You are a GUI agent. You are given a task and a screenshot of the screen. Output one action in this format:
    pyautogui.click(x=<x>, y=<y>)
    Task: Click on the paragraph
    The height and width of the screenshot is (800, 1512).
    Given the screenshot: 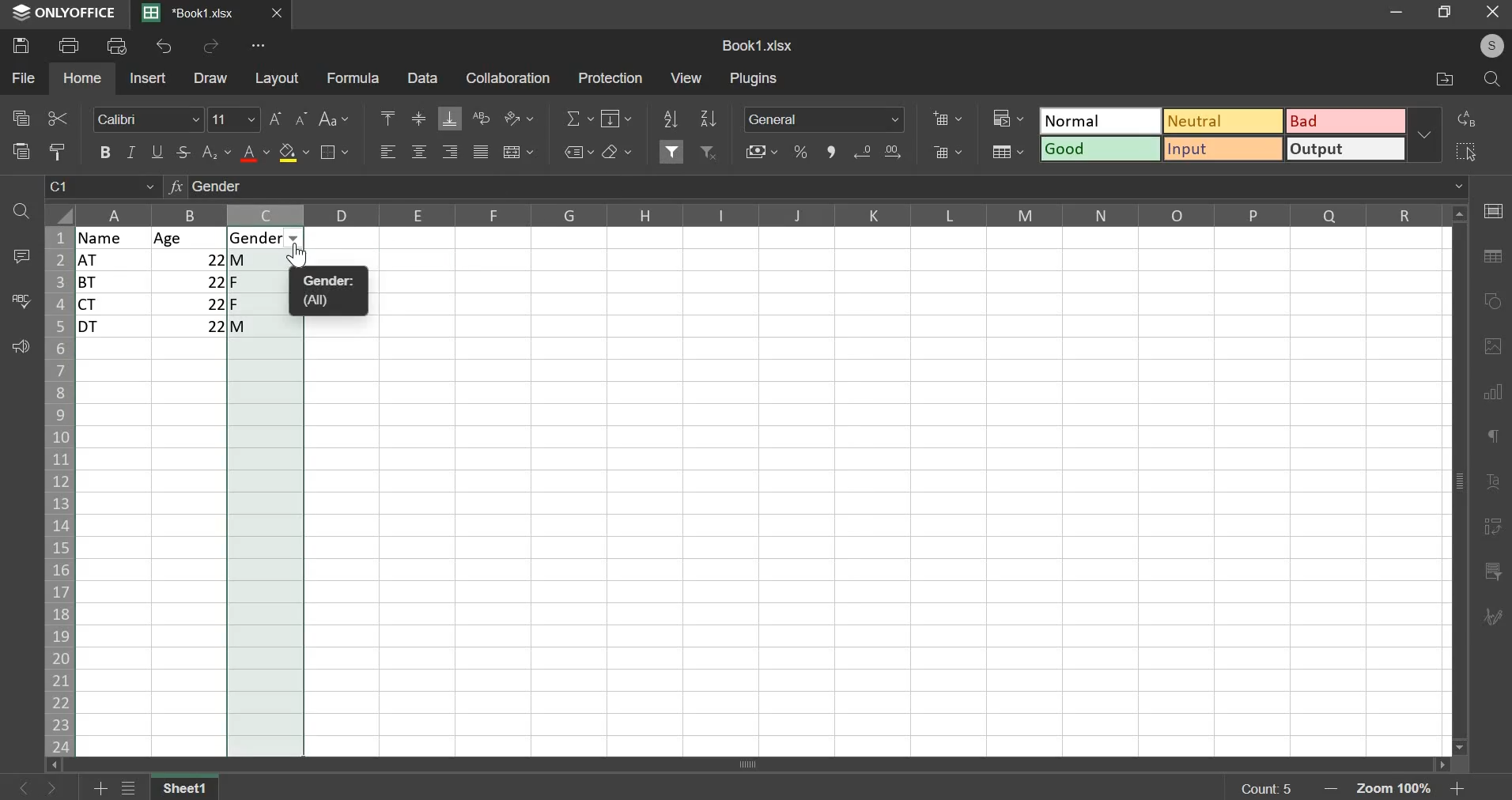 What is the action you would take?
    pyautogui.click(x=1490, y=436)
    